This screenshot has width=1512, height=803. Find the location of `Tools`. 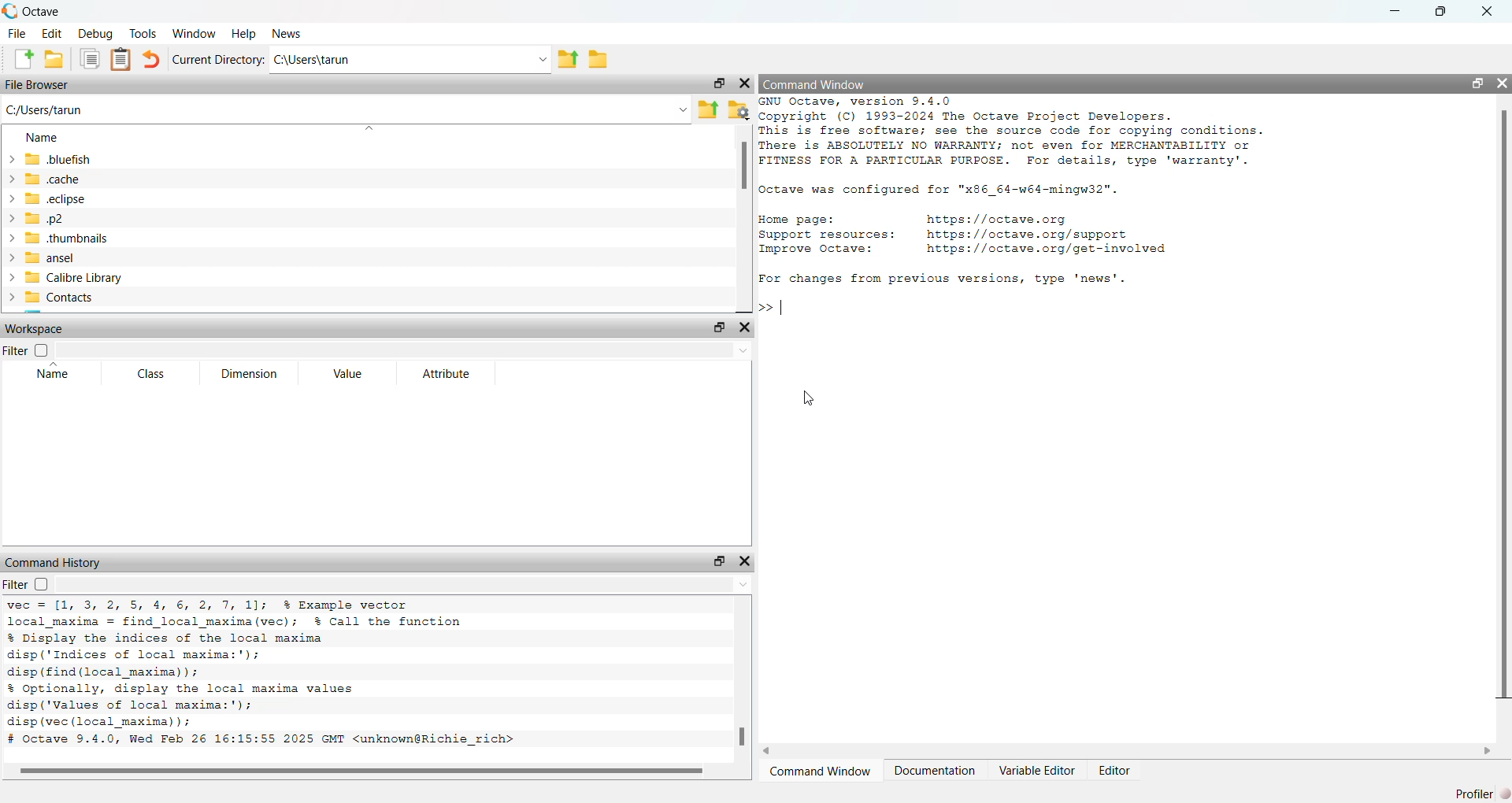

Tools is located at coordinates (143, 32).